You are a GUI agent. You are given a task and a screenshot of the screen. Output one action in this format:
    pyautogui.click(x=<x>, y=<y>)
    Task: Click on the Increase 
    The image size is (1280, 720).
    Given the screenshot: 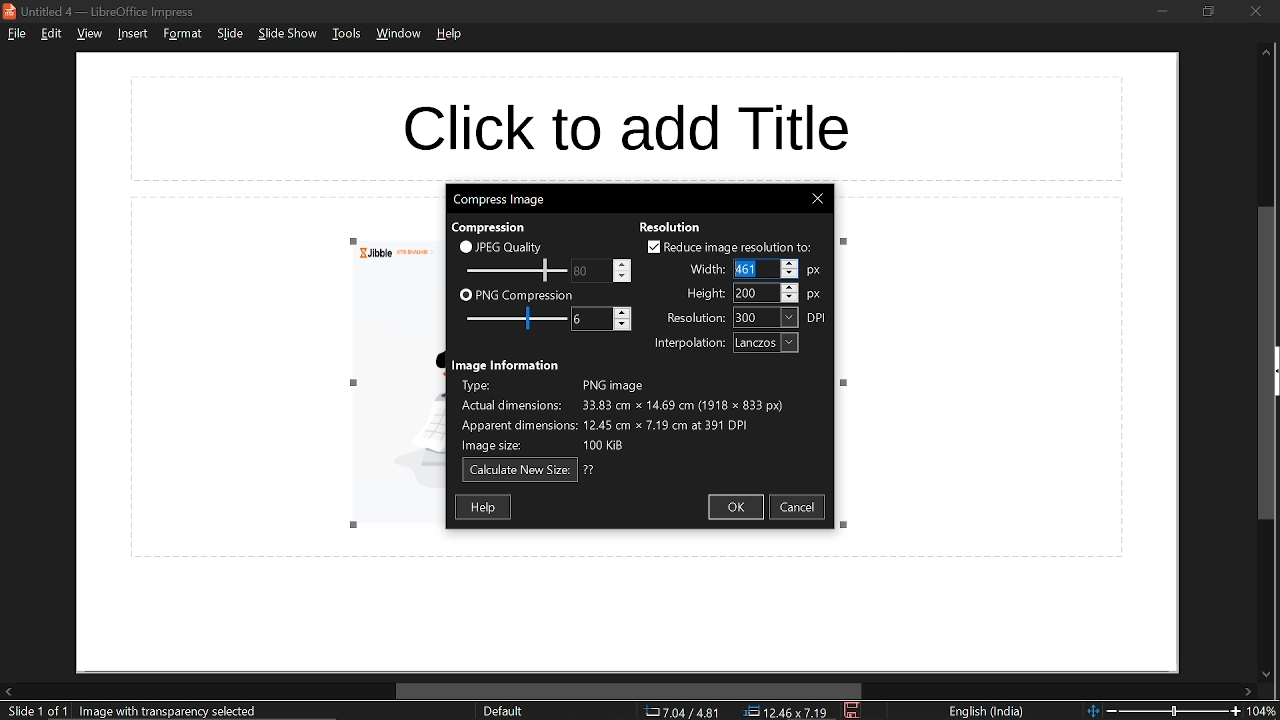 What is the action you would take?
    pyautogui.click(x=791, y=263)
    